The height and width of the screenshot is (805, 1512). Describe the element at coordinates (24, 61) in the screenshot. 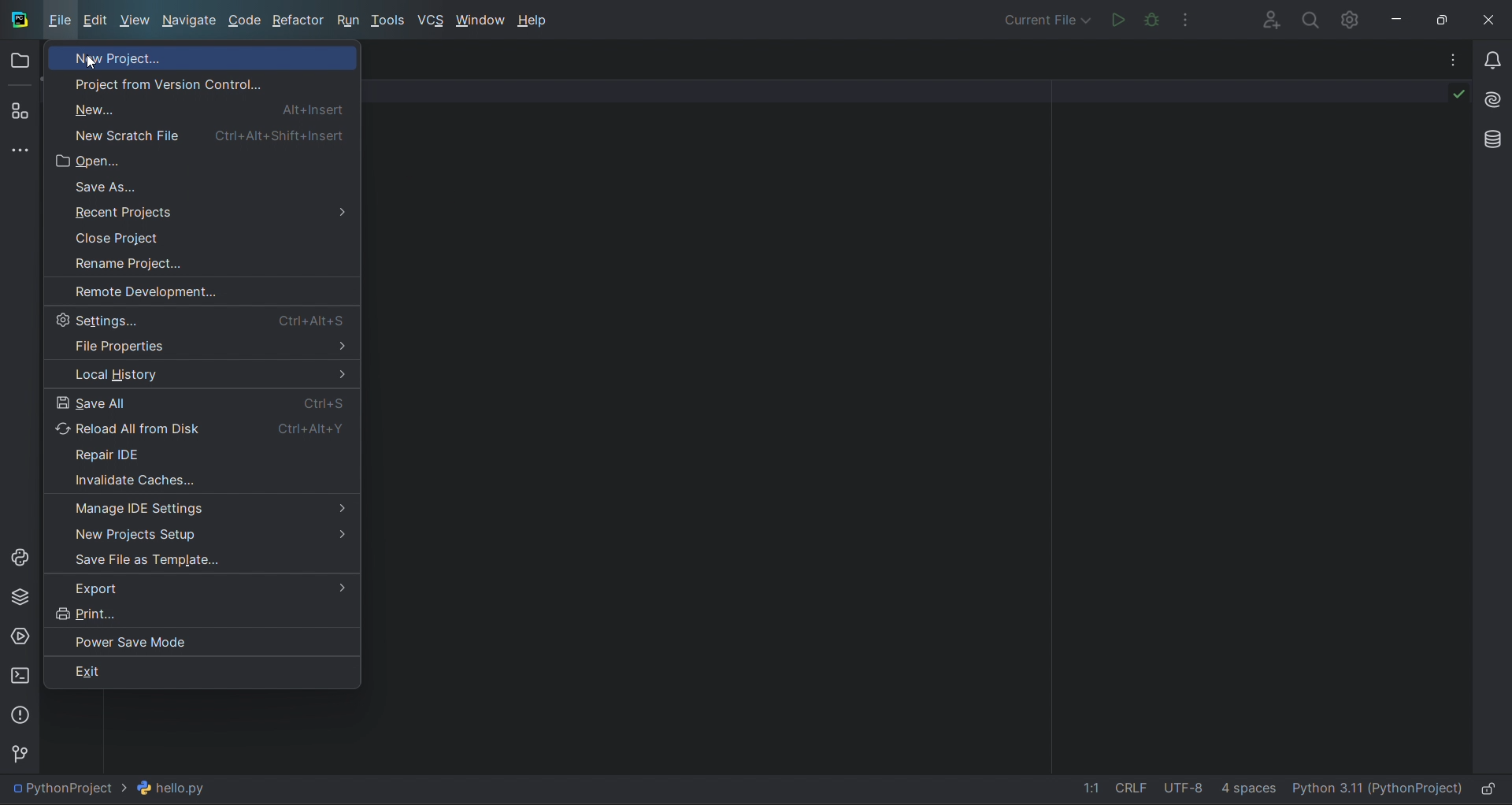

I see `folder window` at that location.